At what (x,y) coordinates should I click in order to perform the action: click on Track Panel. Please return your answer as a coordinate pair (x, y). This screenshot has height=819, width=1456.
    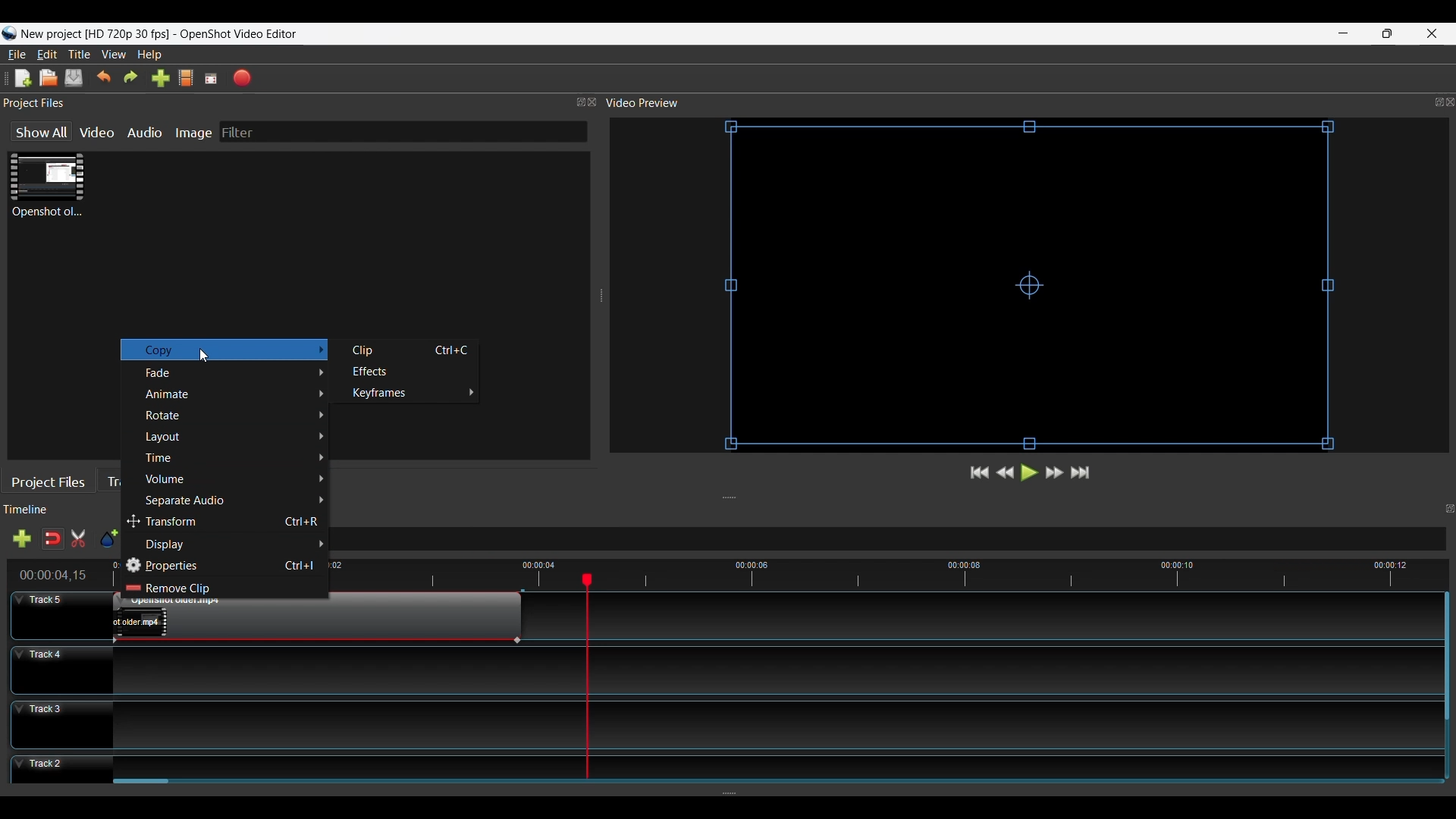
    Looking at the image, I should click on (770, 764).